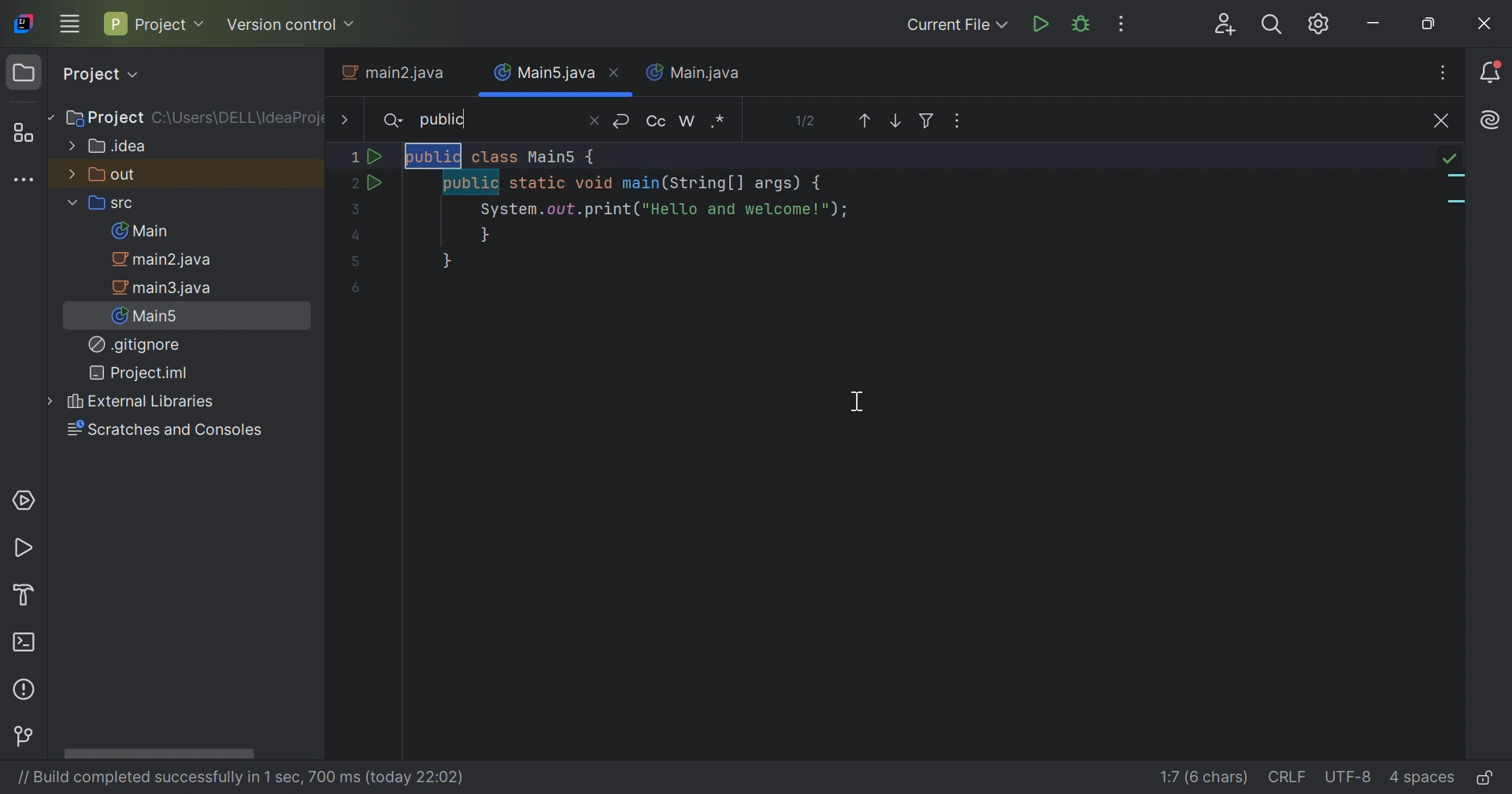 The image size is (1512, 794). I want to click on , so click(358, 235).